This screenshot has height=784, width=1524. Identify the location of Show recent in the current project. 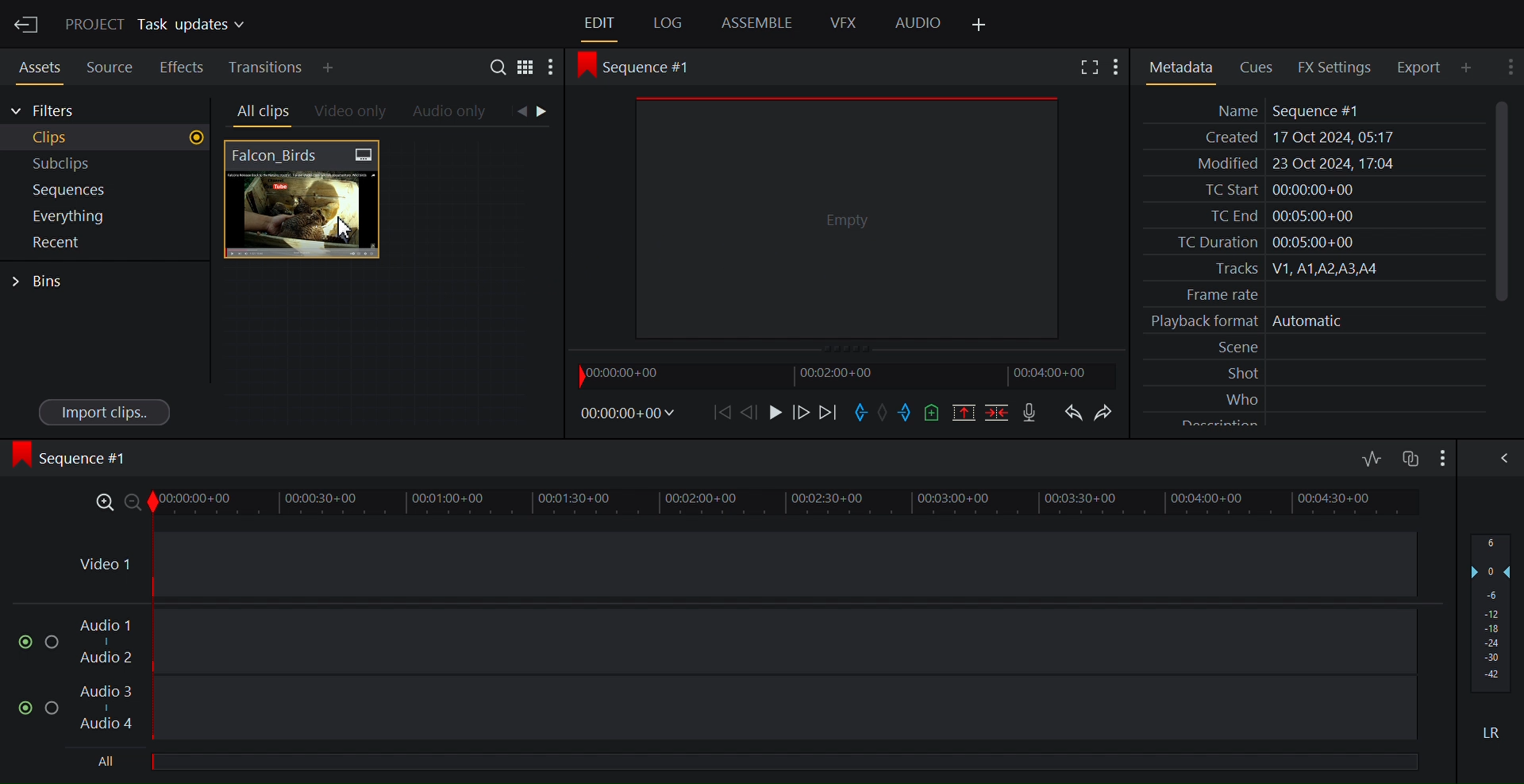
(103, 243).